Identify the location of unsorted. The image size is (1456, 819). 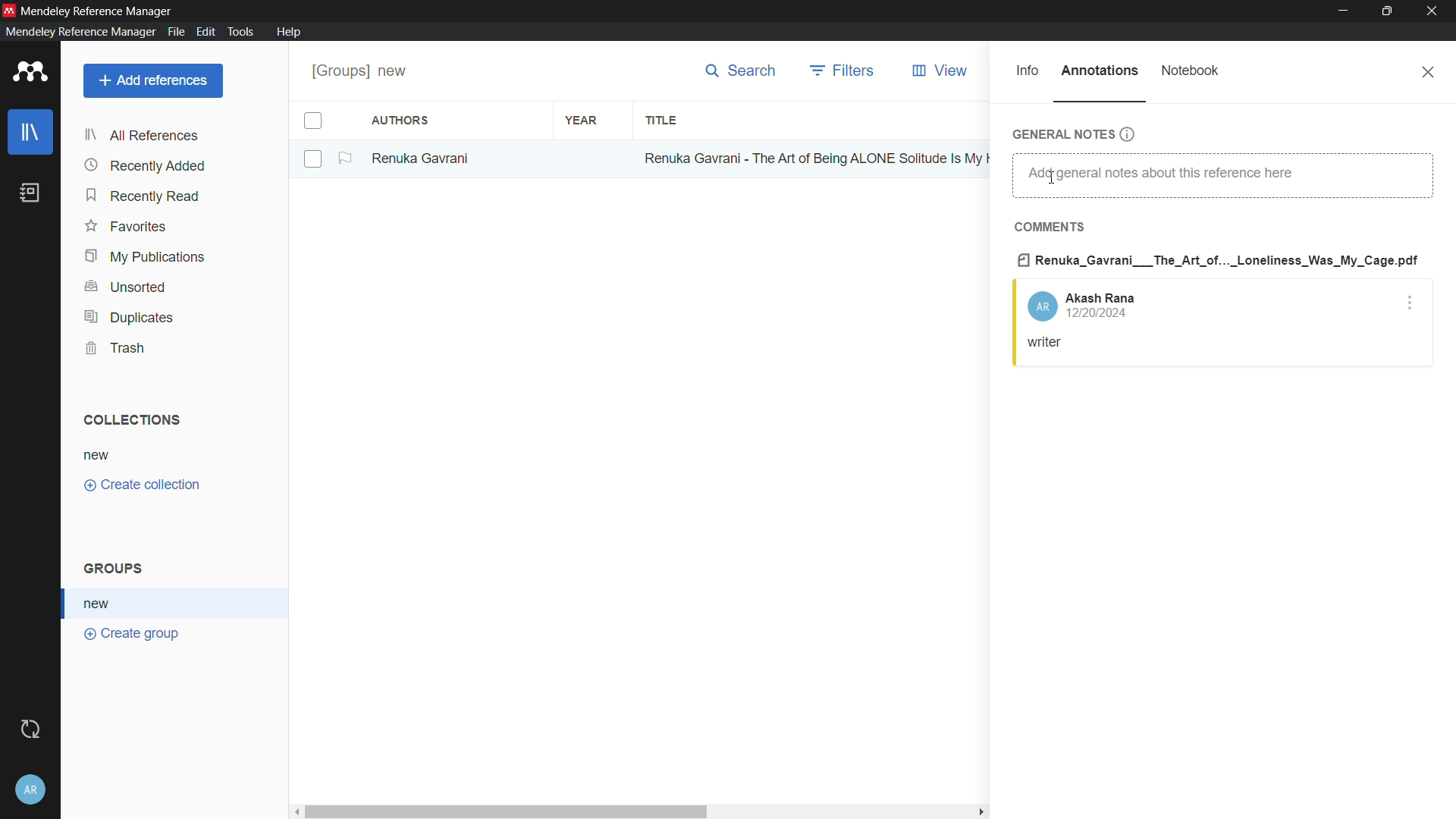
(128, 287).